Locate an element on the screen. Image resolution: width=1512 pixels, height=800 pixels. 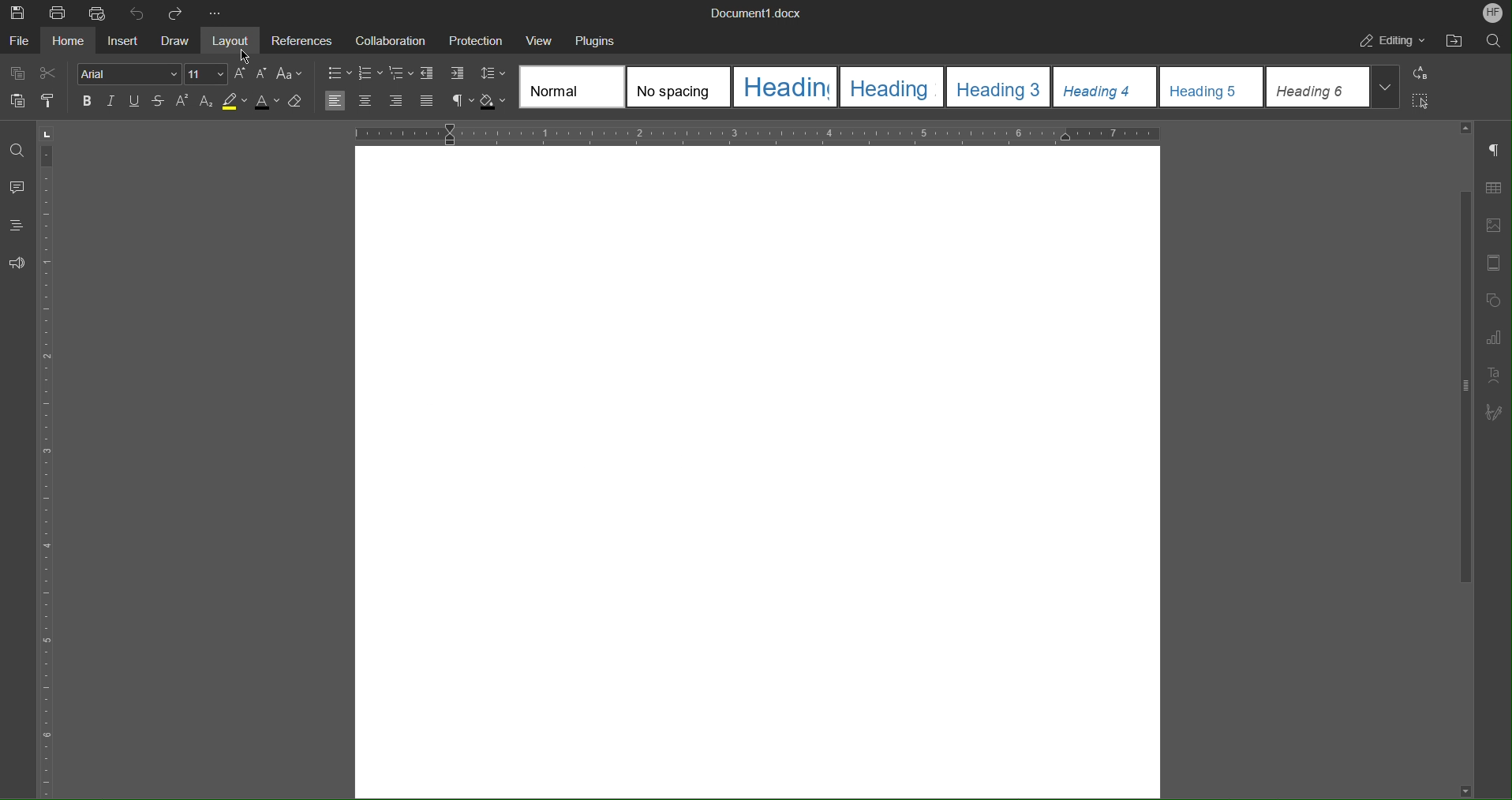
Headings is located at coordinates (16, 225).